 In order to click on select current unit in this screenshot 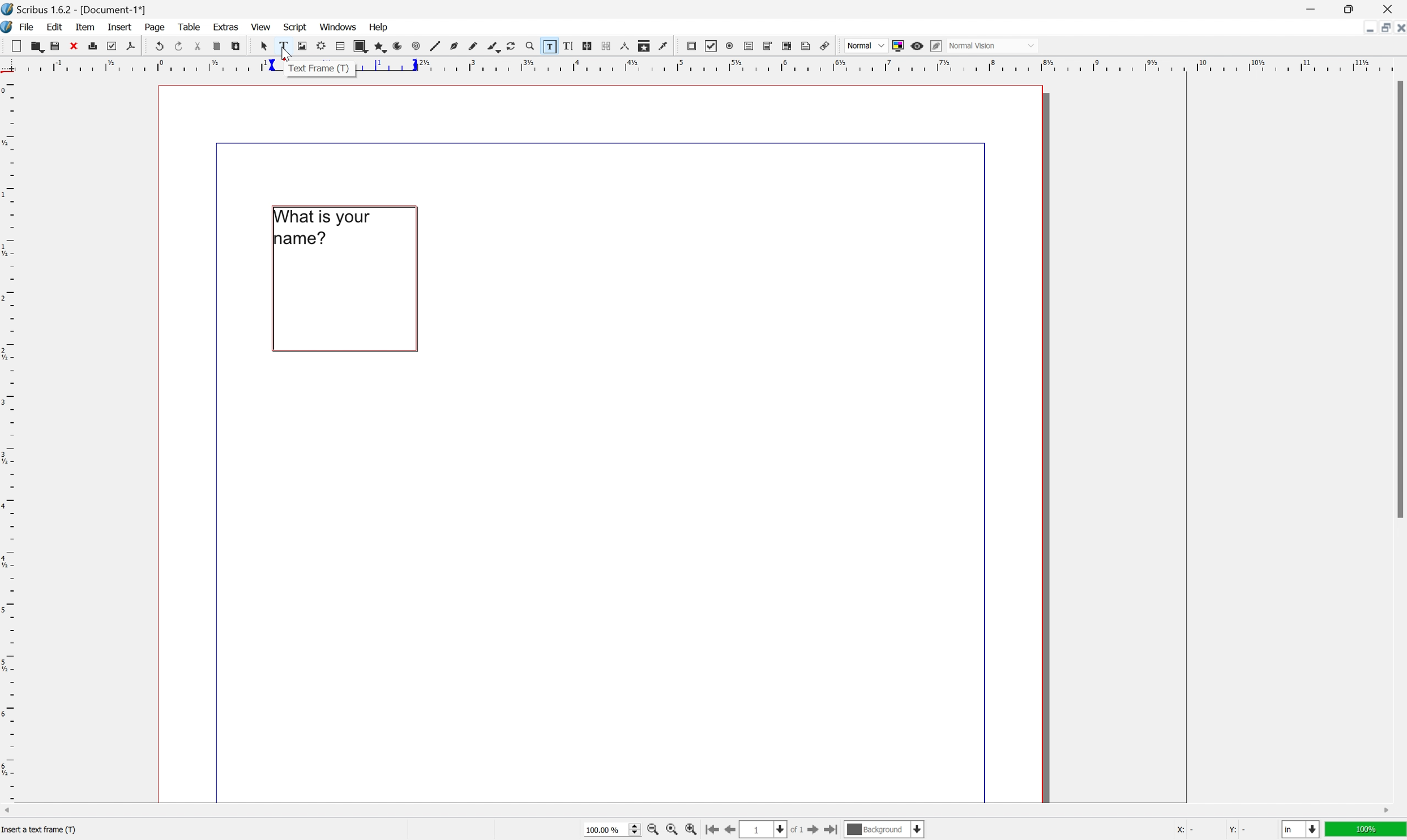, I will do `click(1301, 830)`.